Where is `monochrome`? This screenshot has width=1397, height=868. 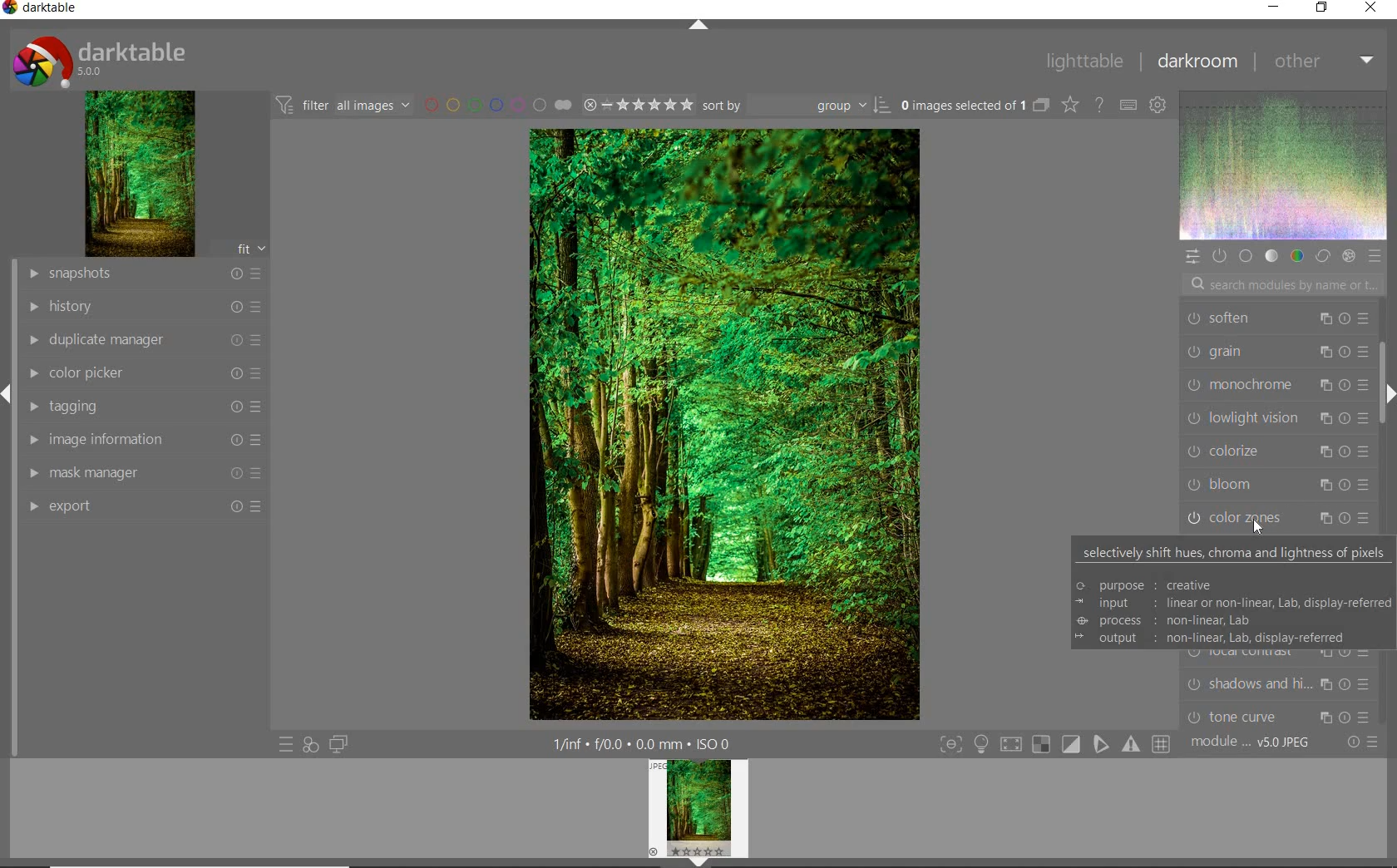
monochrome is located at coordinates (1277, 384).